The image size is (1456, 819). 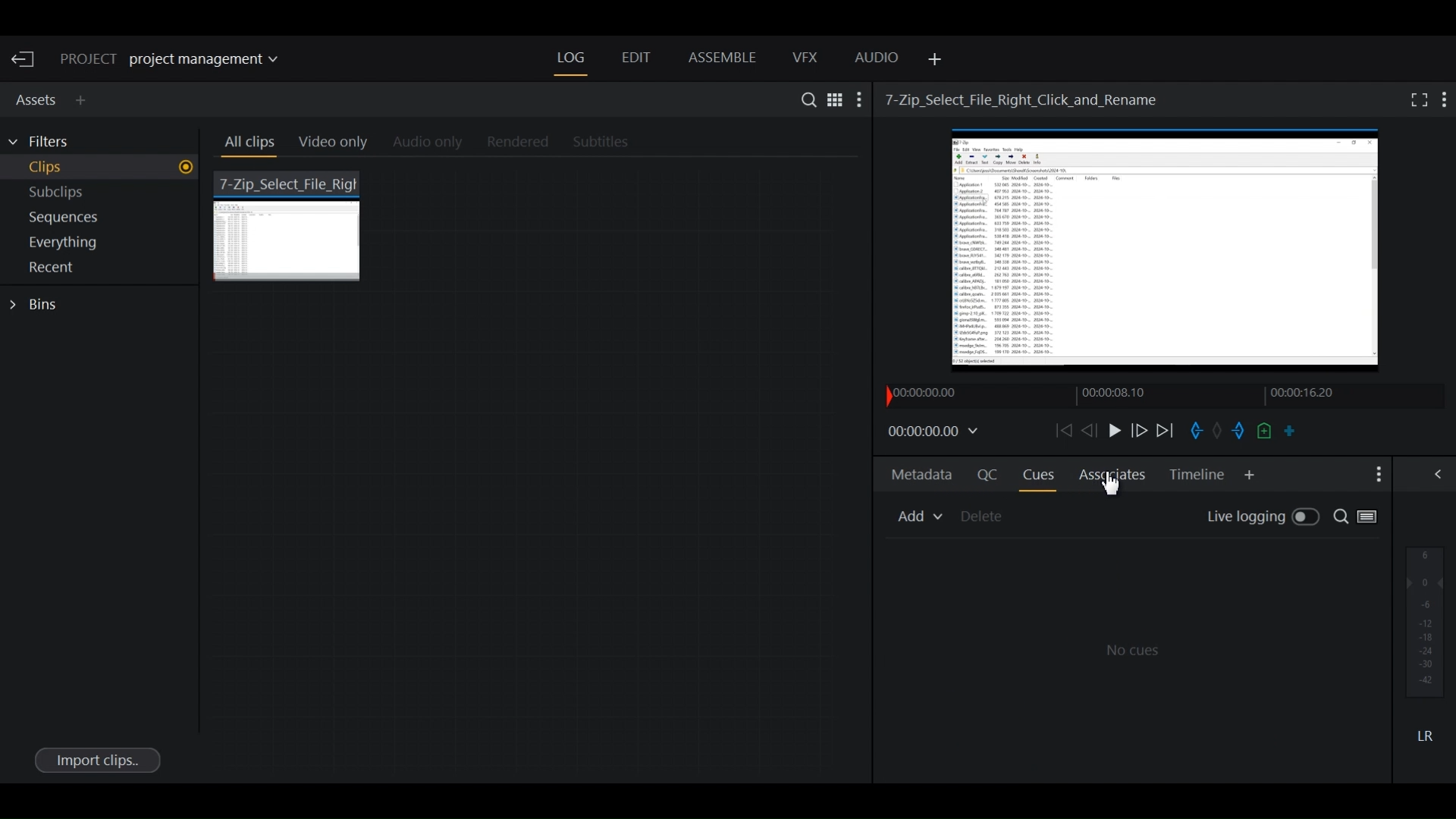 What do you see at coordinates (936, 432) in the screenshot?
I see `Timecodes and reels` at bounding box center [936, 432].